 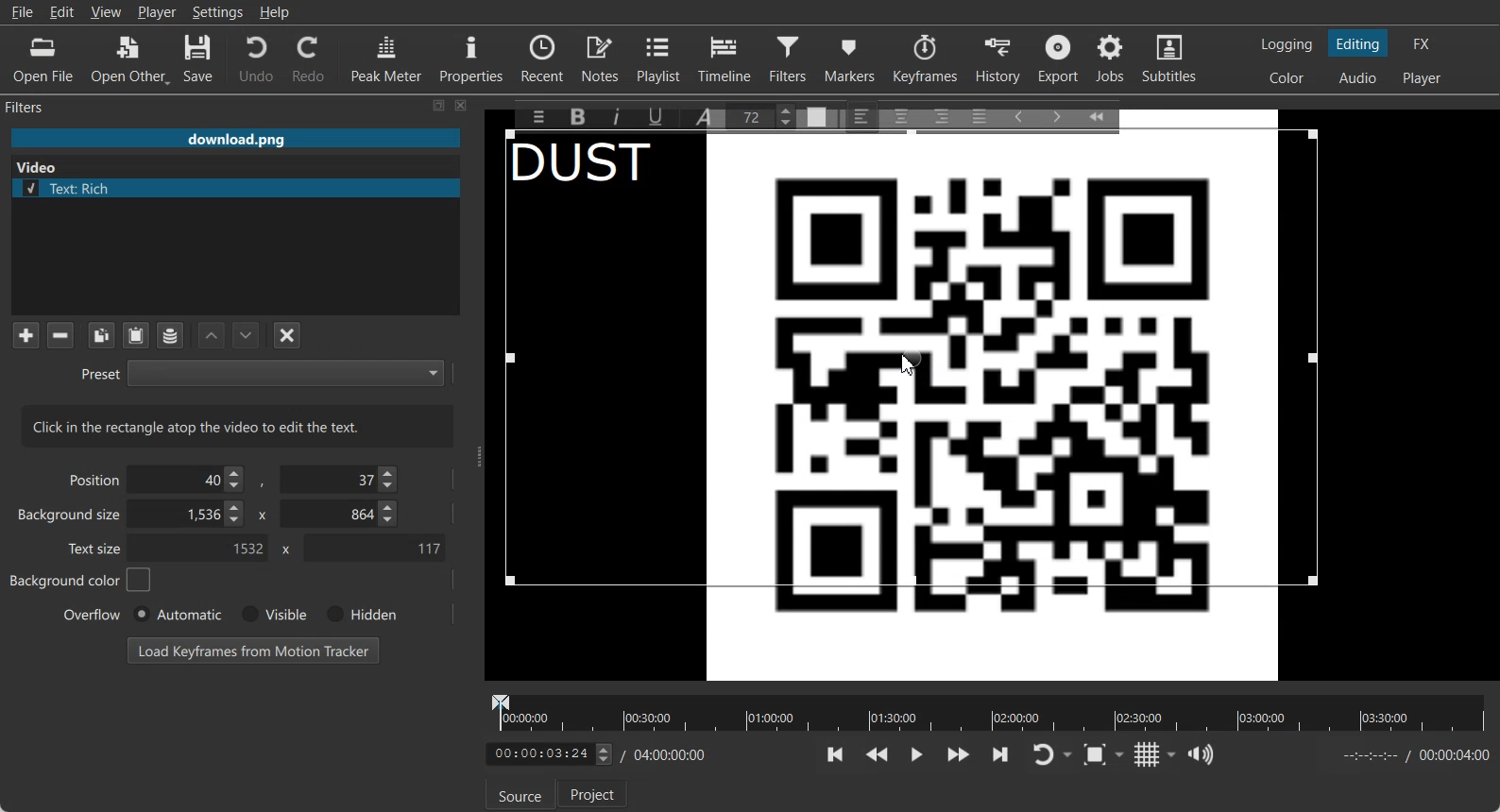 I want to click on Export, so click(x=1061, y=59).